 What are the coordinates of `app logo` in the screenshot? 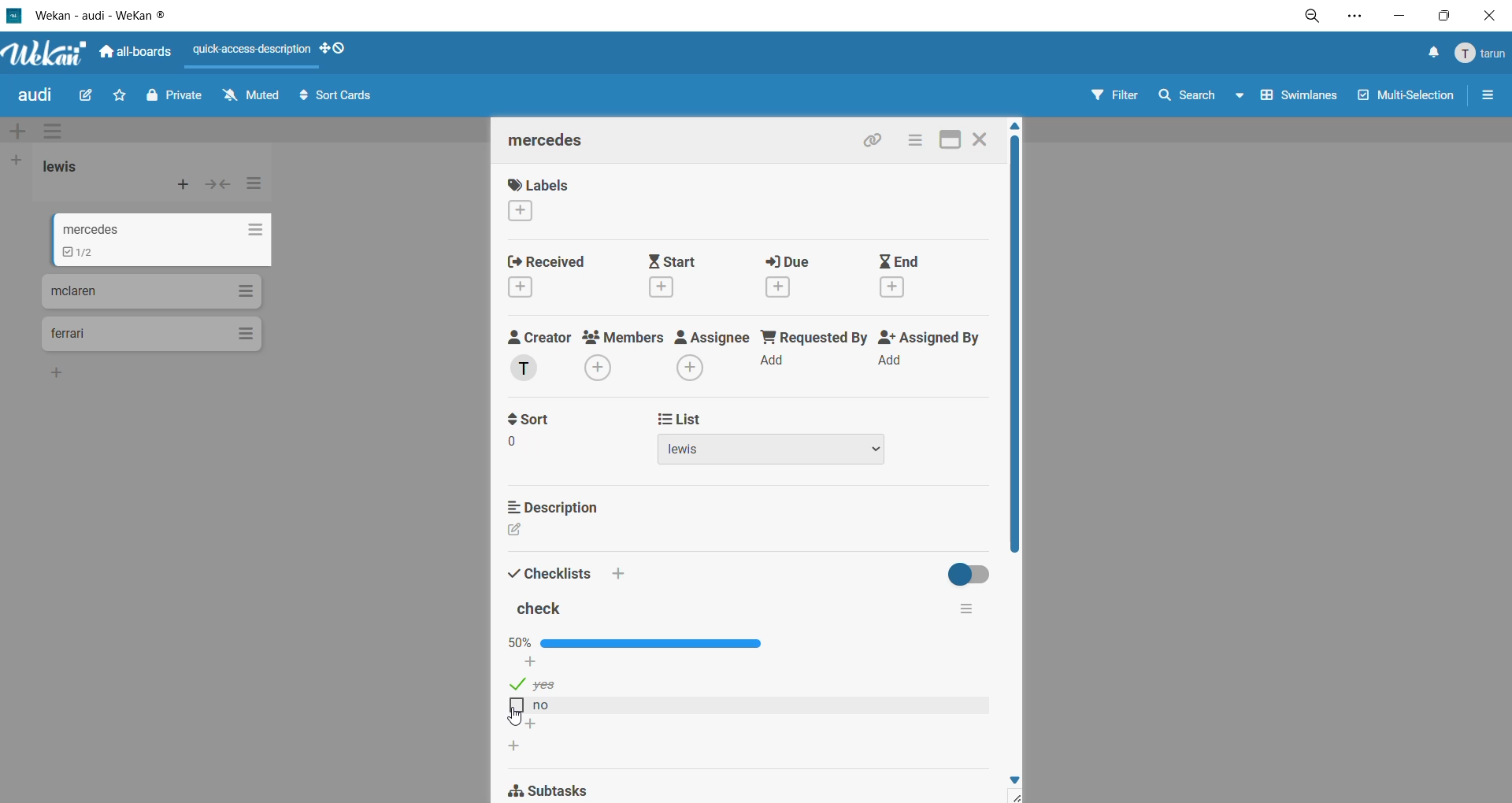 It's located at (48, 54).